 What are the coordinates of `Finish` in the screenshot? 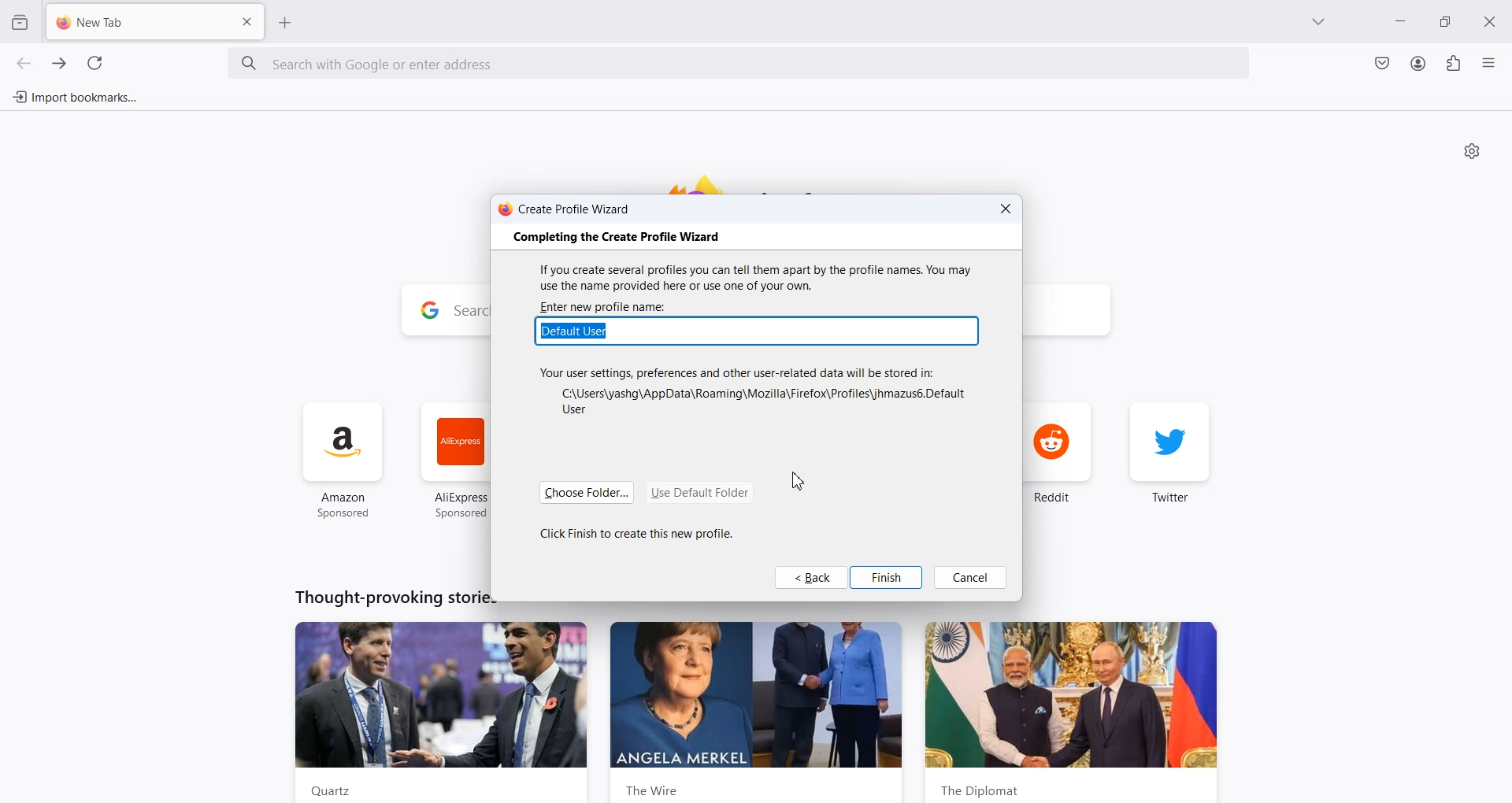 It's located at (887, 576).